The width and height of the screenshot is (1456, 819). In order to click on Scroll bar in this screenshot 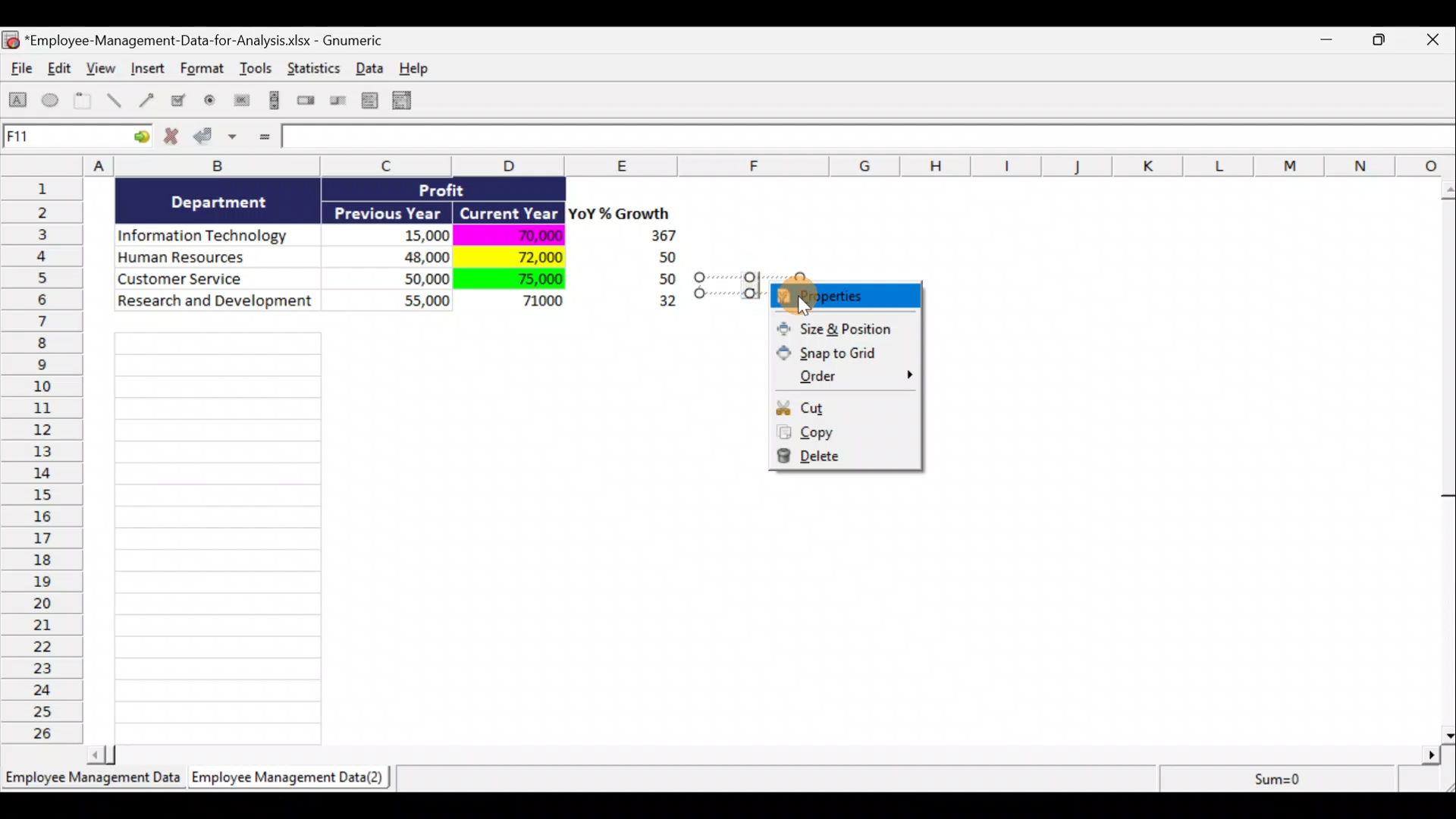, I will do `click(769, 752)`.